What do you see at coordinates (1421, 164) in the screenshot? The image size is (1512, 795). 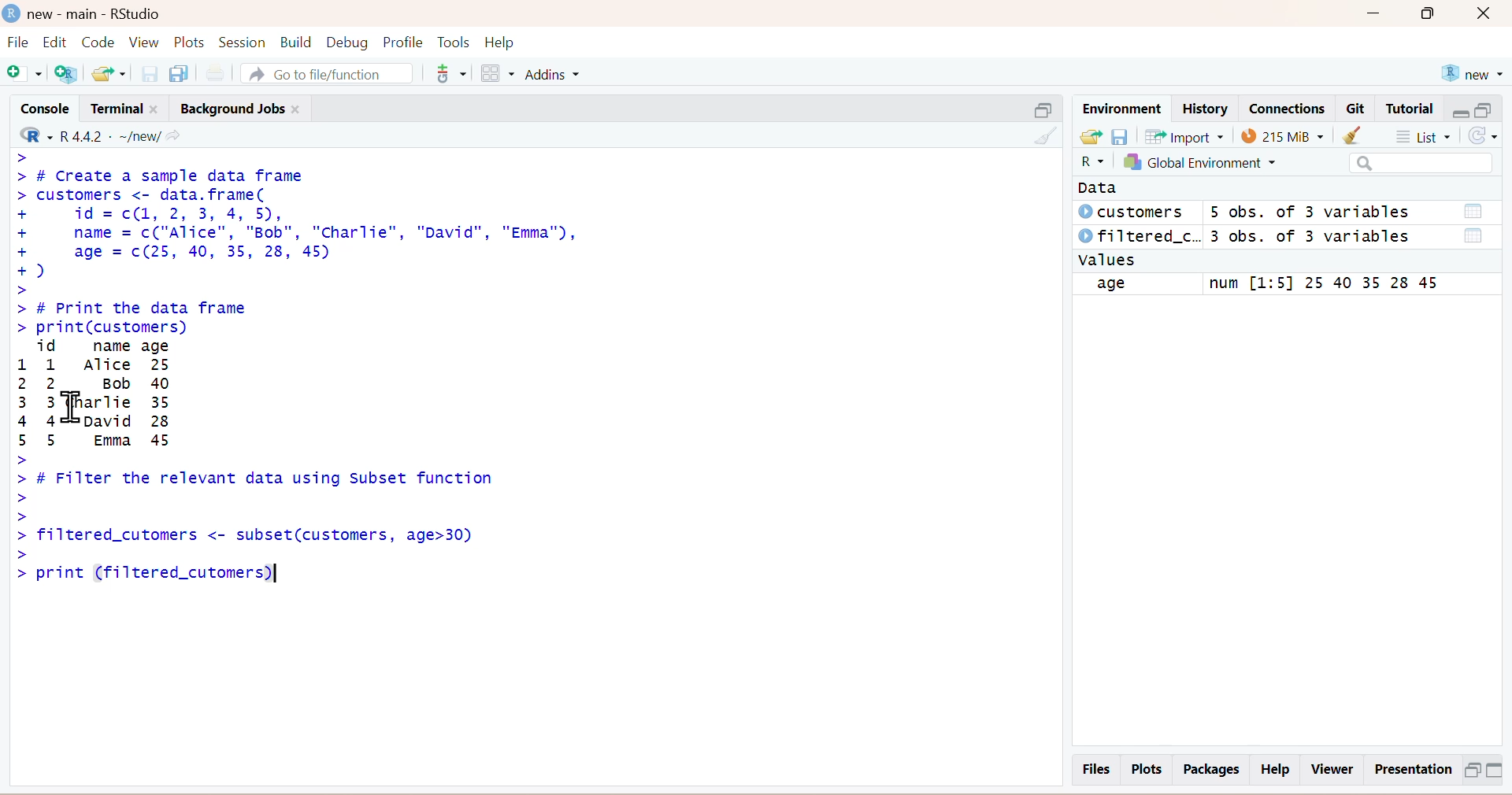 I see `Search bar` at bounding box center [1421, 164].